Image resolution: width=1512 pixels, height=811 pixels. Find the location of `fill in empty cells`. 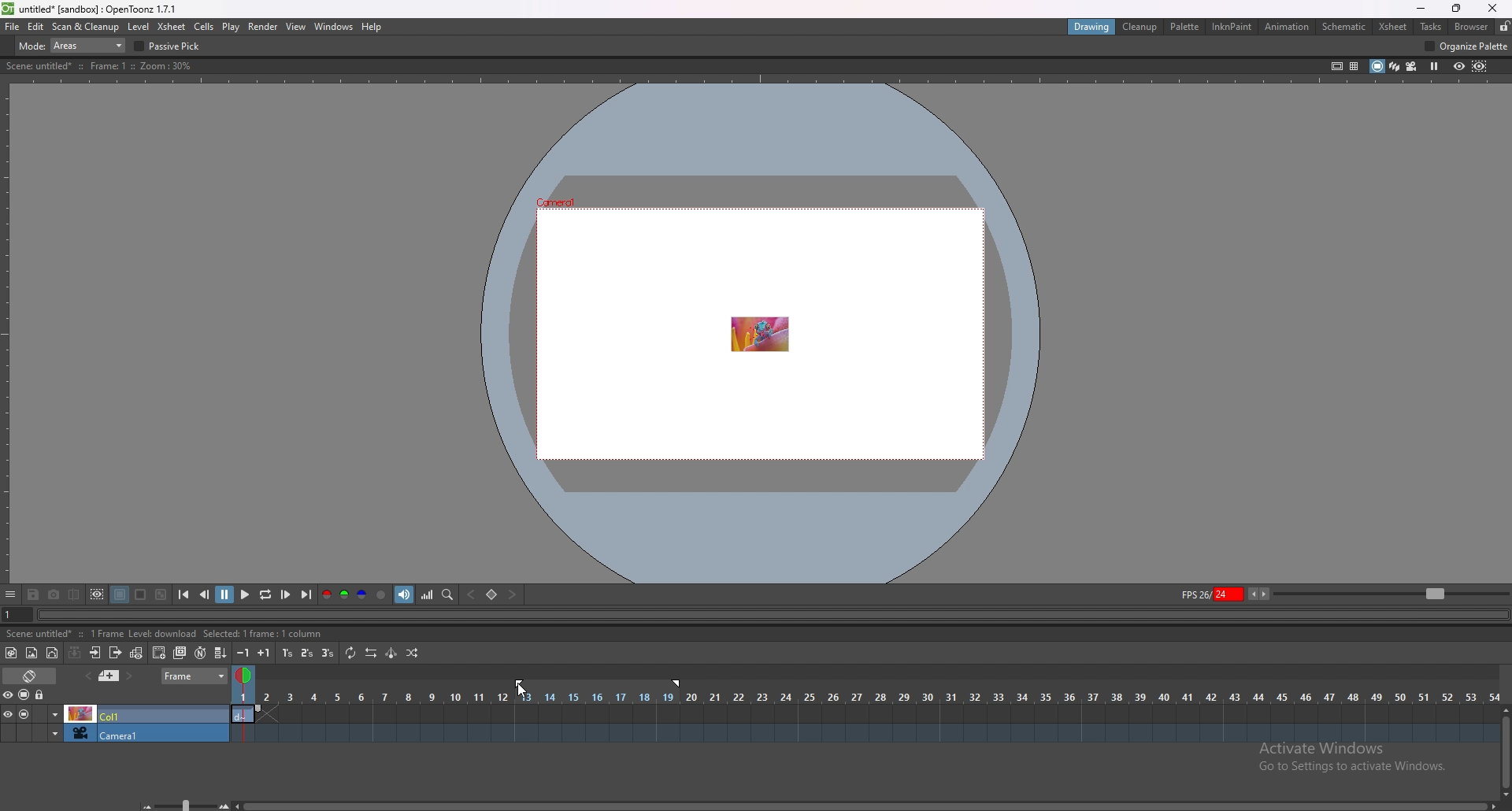

fill in empty cells is located at coordinates (219, 653).